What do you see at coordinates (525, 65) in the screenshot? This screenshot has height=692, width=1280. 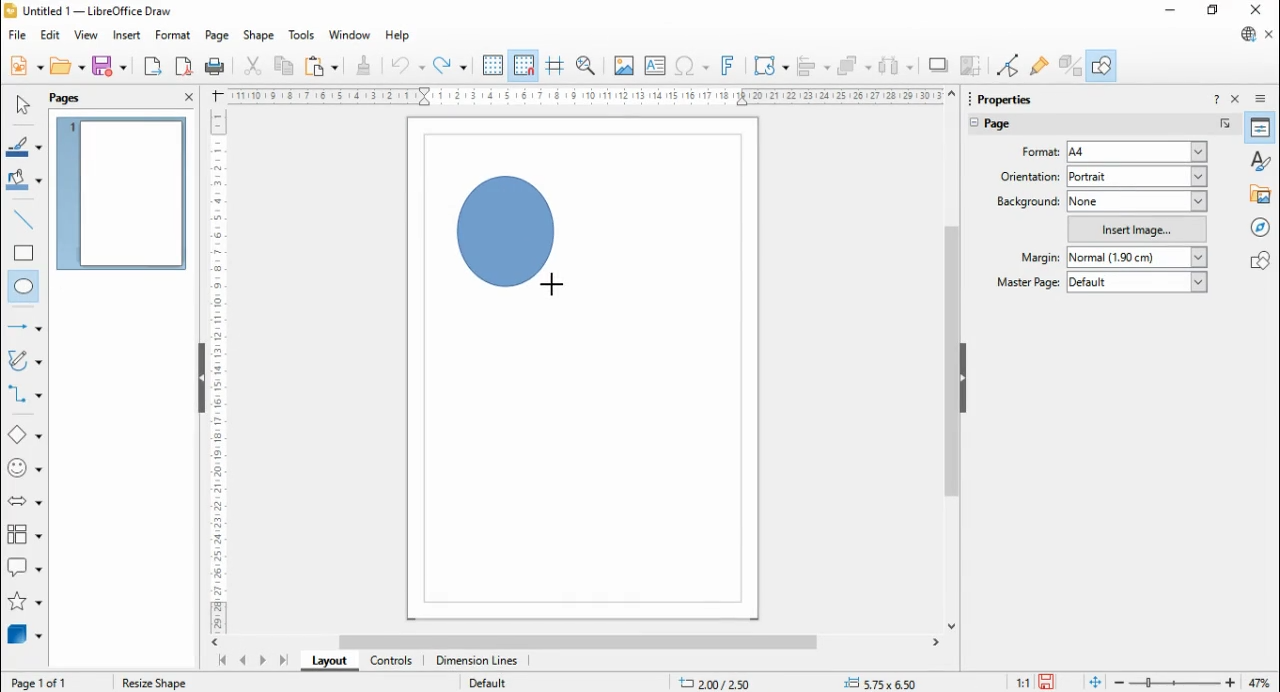 I see `snap to grid` at bounding box center [525, 65].